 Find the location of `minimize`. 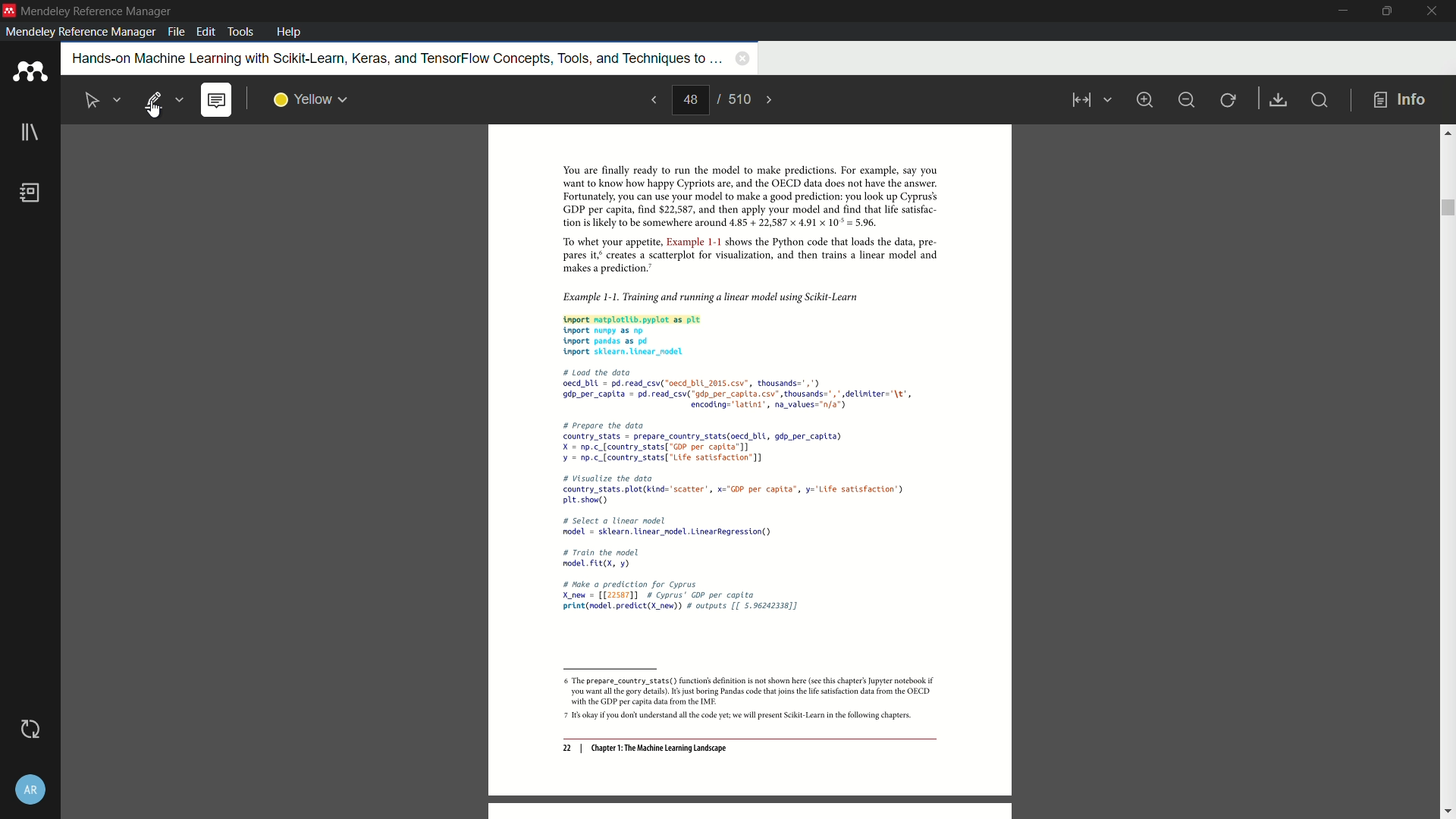

minimize is located at coordinates (1186, 100).